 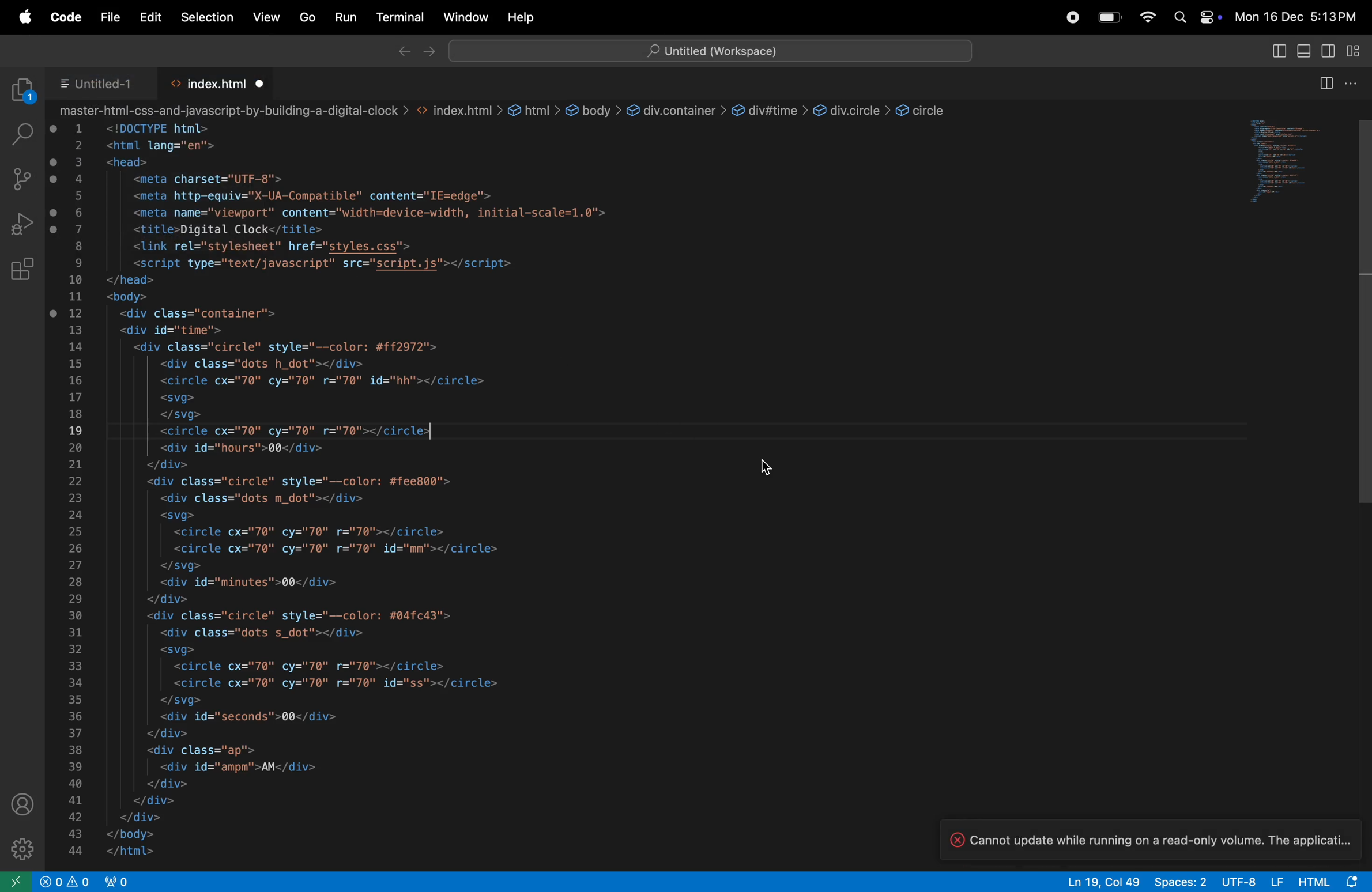 What do you see at coordinates (401, 17) in the screenshot?
I see `terminal` at bounding box center [401, 17].